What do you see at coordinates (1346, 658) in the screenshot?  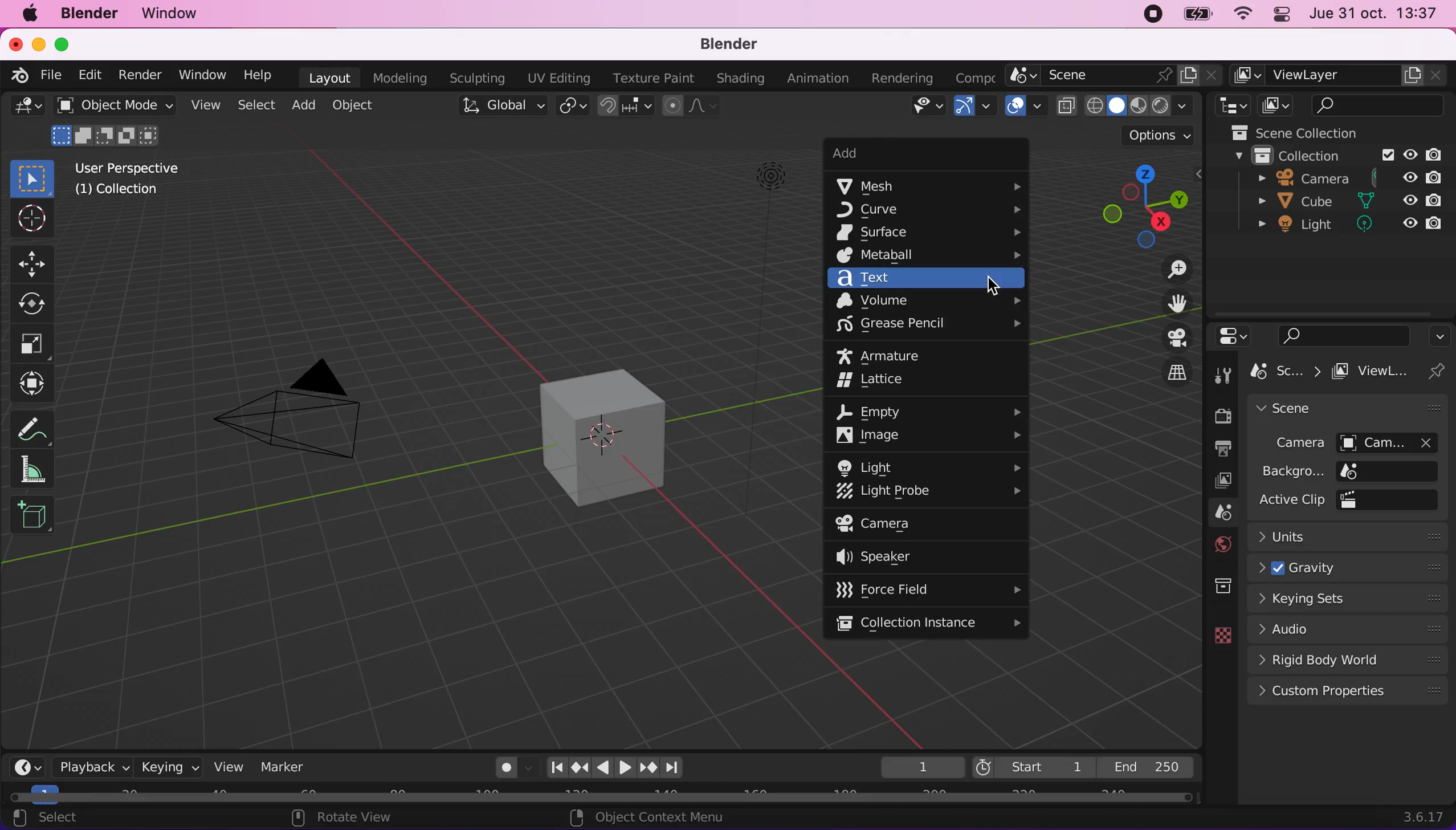 I see `rigid body world` at bounding box center [1346, 658].